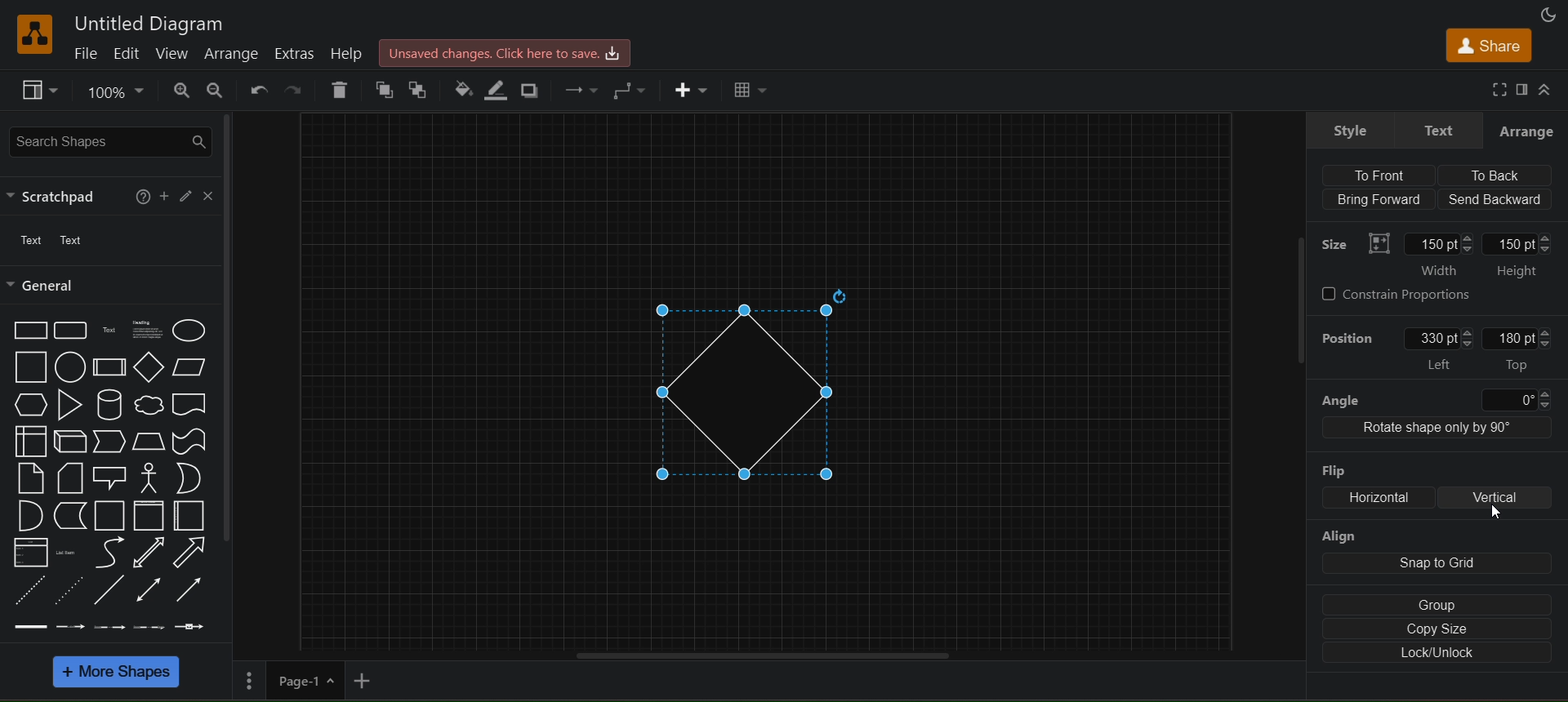 The height and width of the screenshot is (702, 1568). I want to click on bring forward, so click(1379, 197).